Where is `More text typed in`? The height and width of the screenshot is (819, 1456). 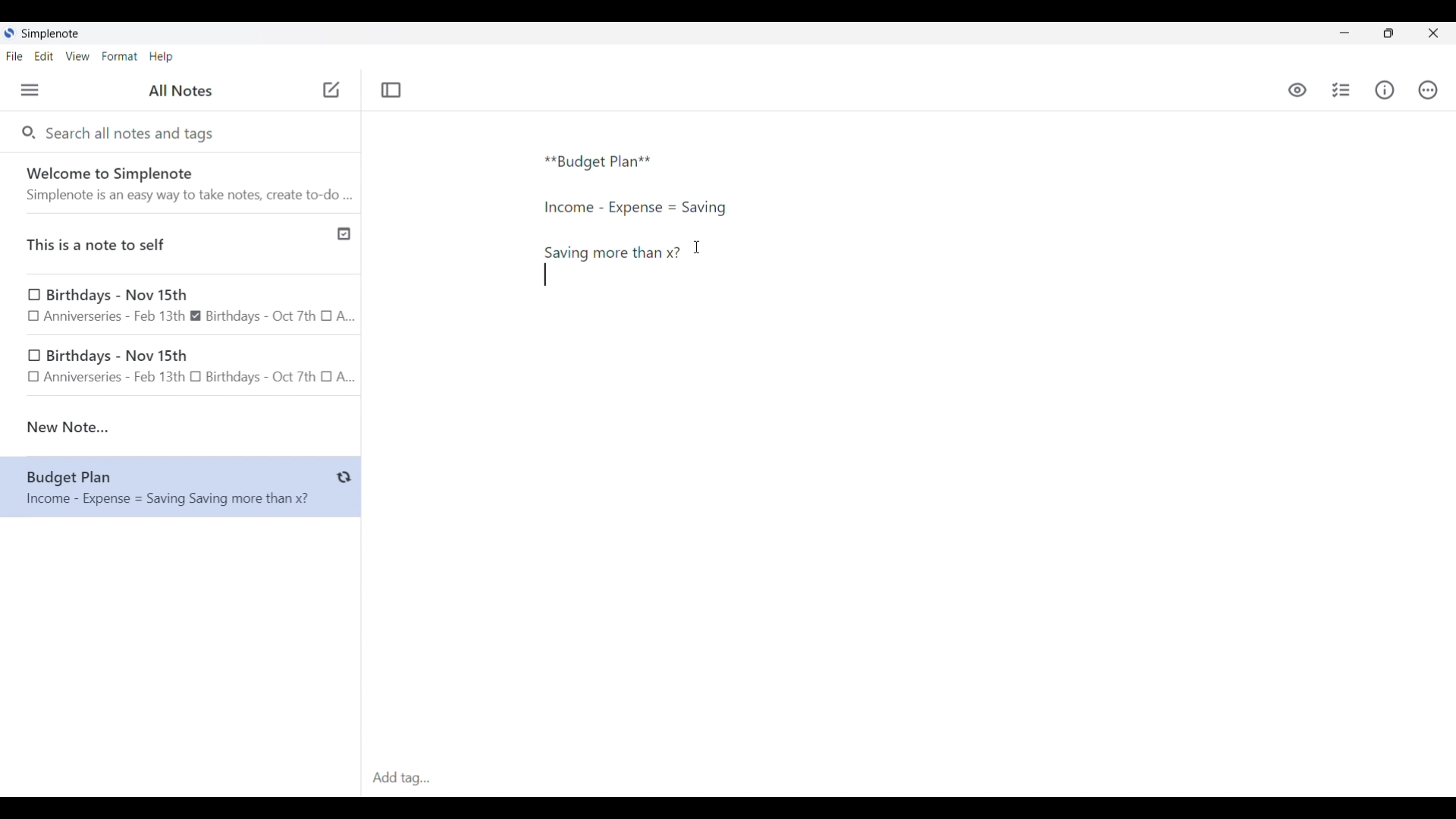
More text typed in is located at coordinates (611, 253).